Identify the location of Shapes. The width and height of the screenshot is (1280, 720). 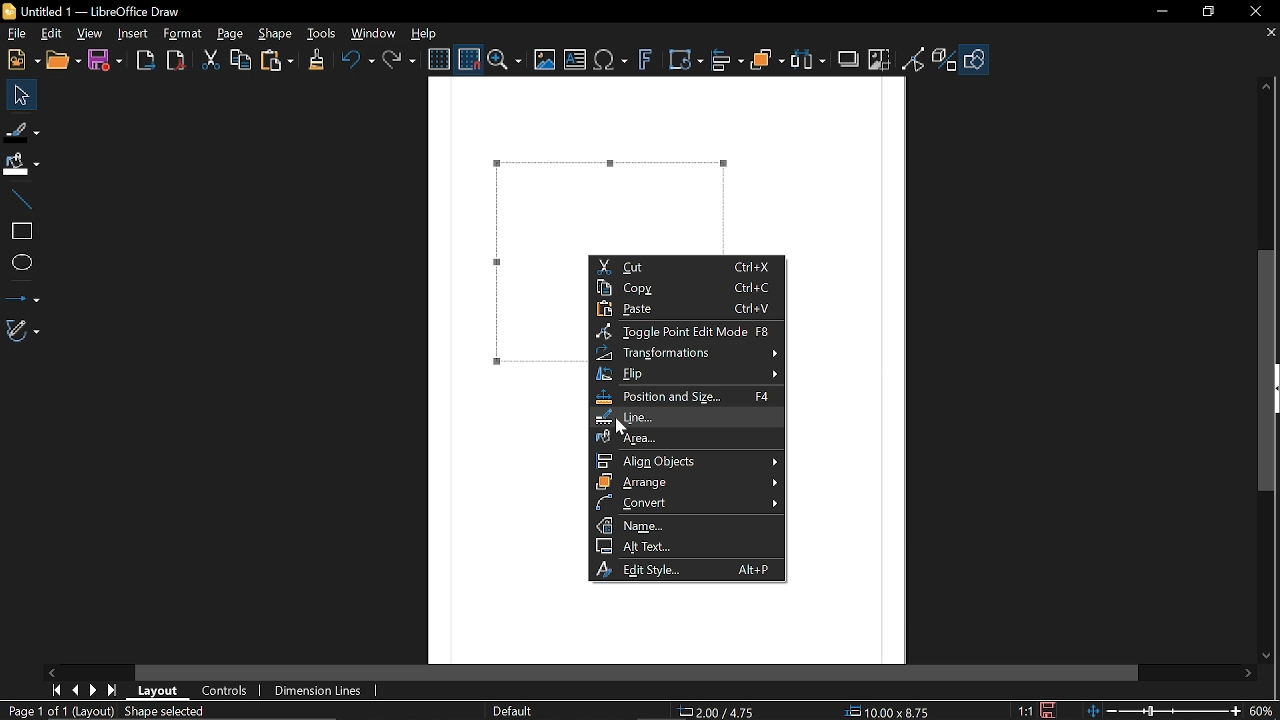
(974, 61).